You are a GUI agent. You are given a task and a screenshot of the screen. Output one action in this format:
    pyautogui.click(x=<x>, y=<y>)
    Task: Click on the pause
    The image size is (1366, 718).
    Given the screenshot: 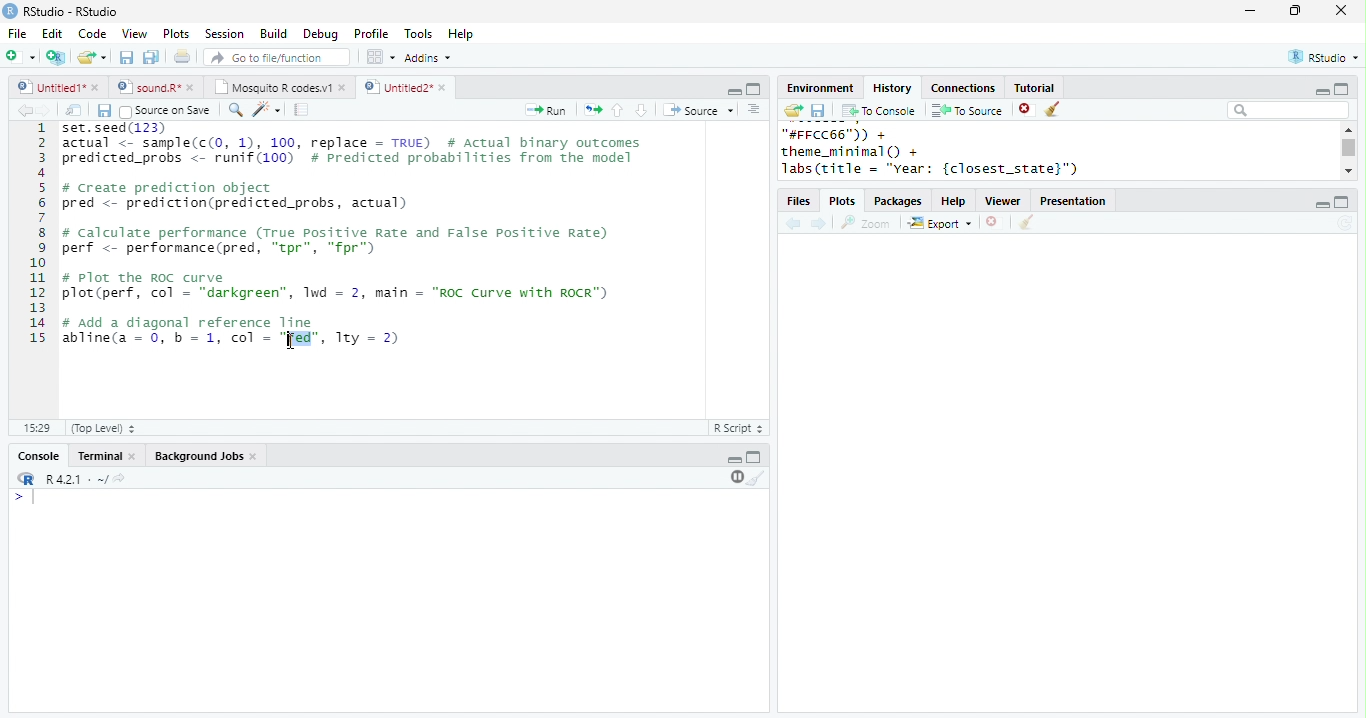 What is the action you would take?
    pyautogui.click(x=735, y=477)
    